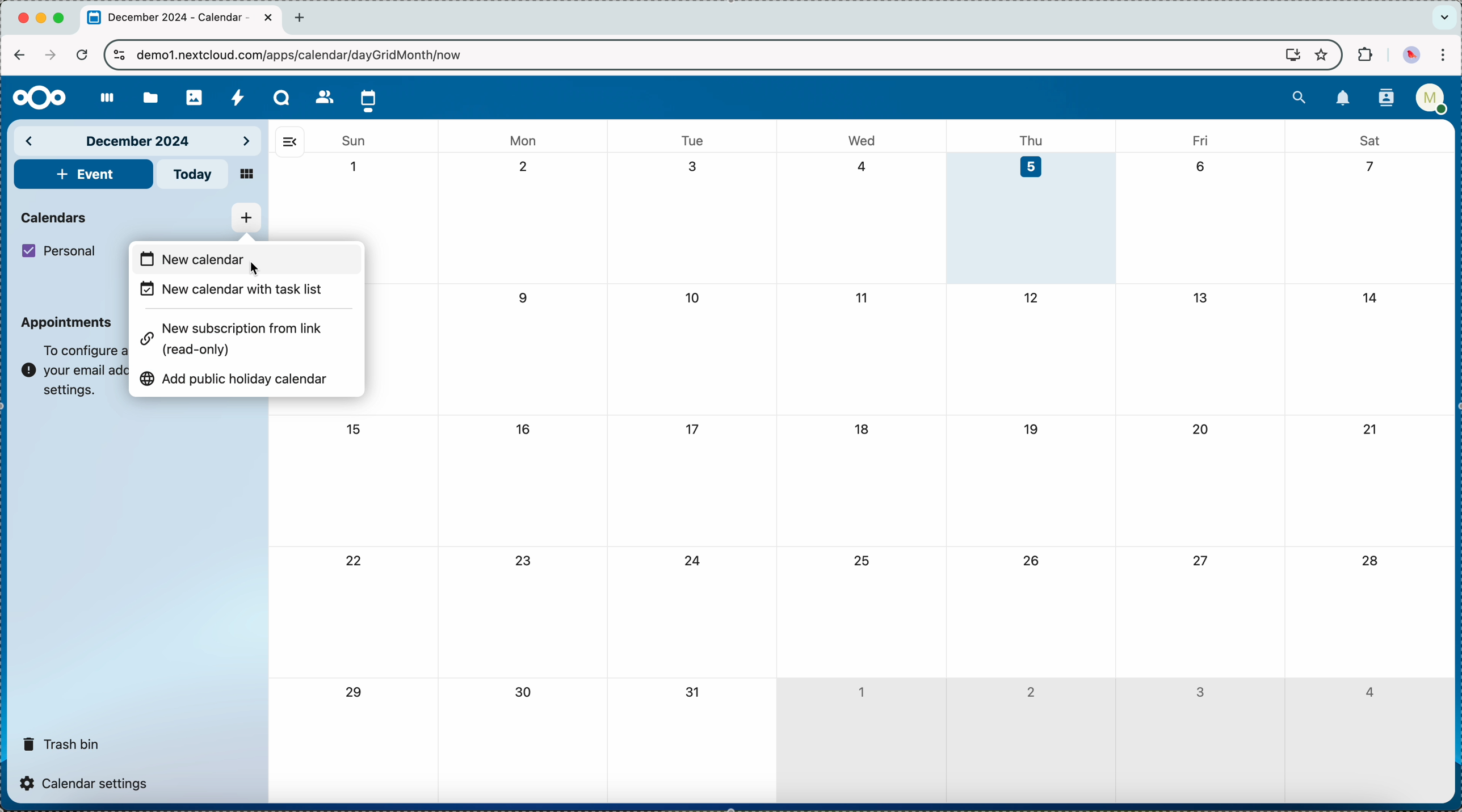 This screenshot has height=812, width=1462. Describe the element at coordinates (1447, 56) in the screenshot. I see `customize and control Google Chrome` at that location.